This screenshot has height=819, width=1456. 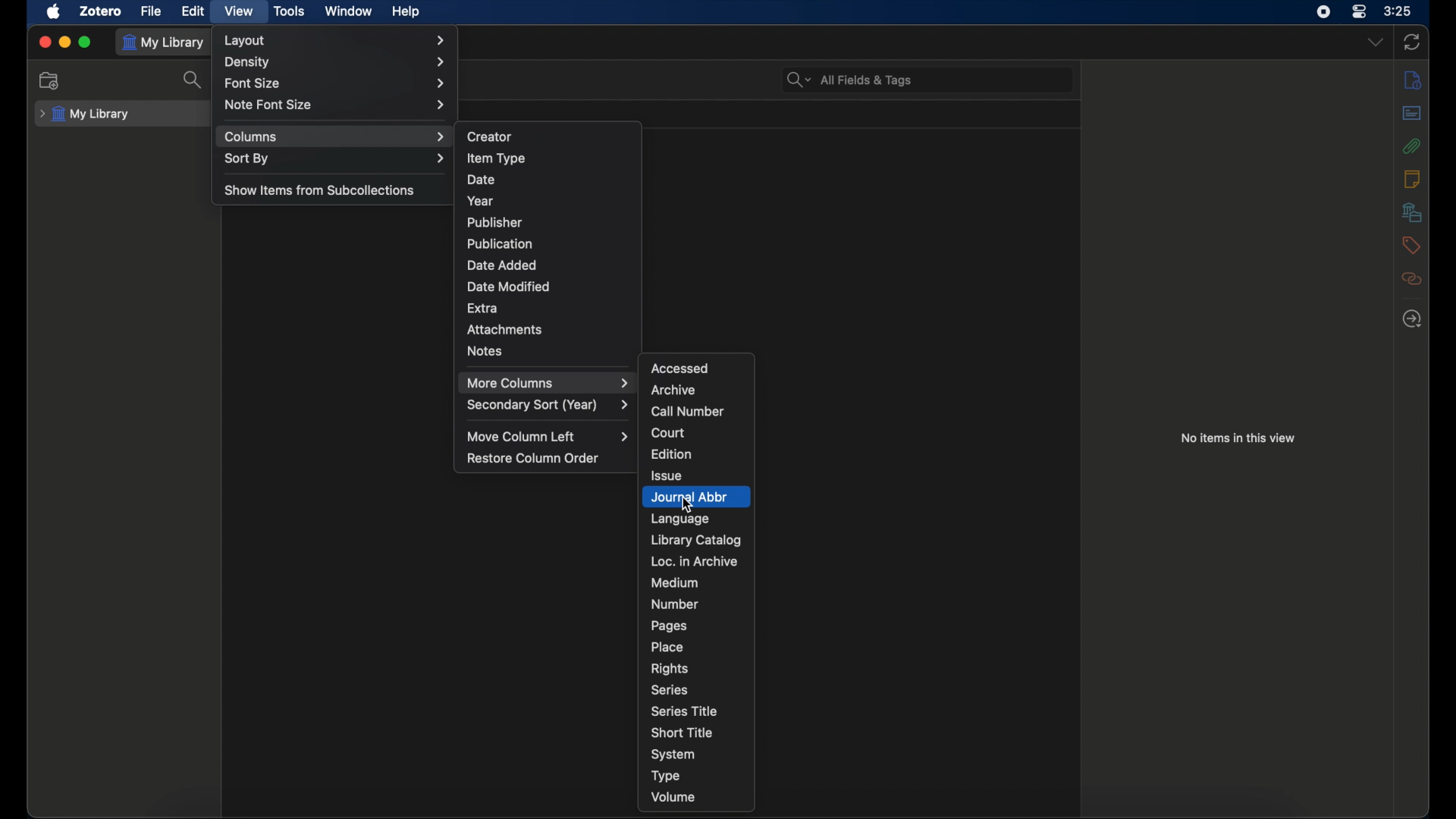 I want to click on journal abbr, so click(x=696, y=497).